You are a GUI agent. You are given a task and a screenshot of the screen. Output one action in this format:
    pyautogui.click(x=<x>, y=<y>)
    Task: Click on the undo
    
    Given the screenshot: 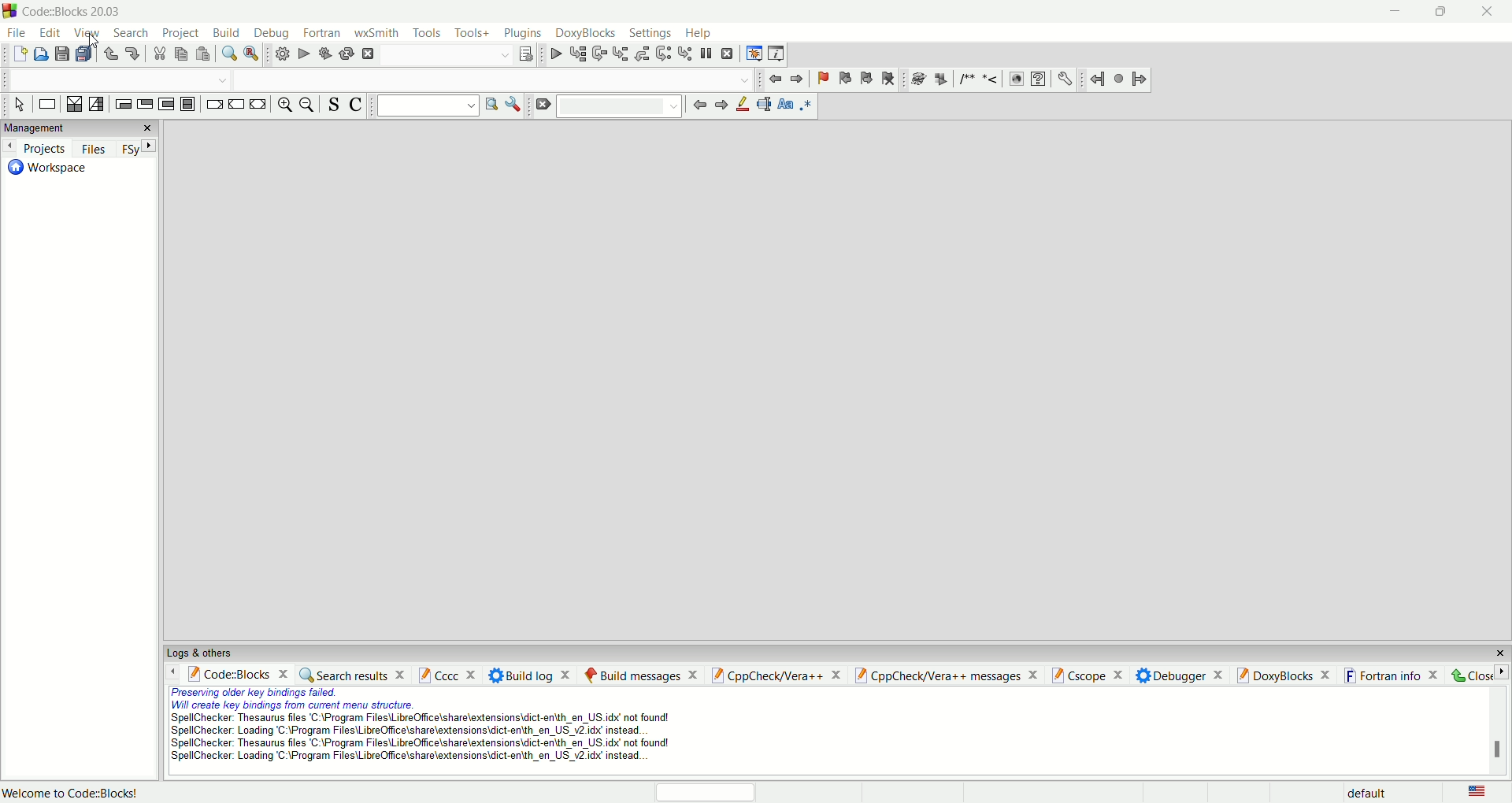 What is the action you would take?
    pyautogui.click(x=110, y=54)
    